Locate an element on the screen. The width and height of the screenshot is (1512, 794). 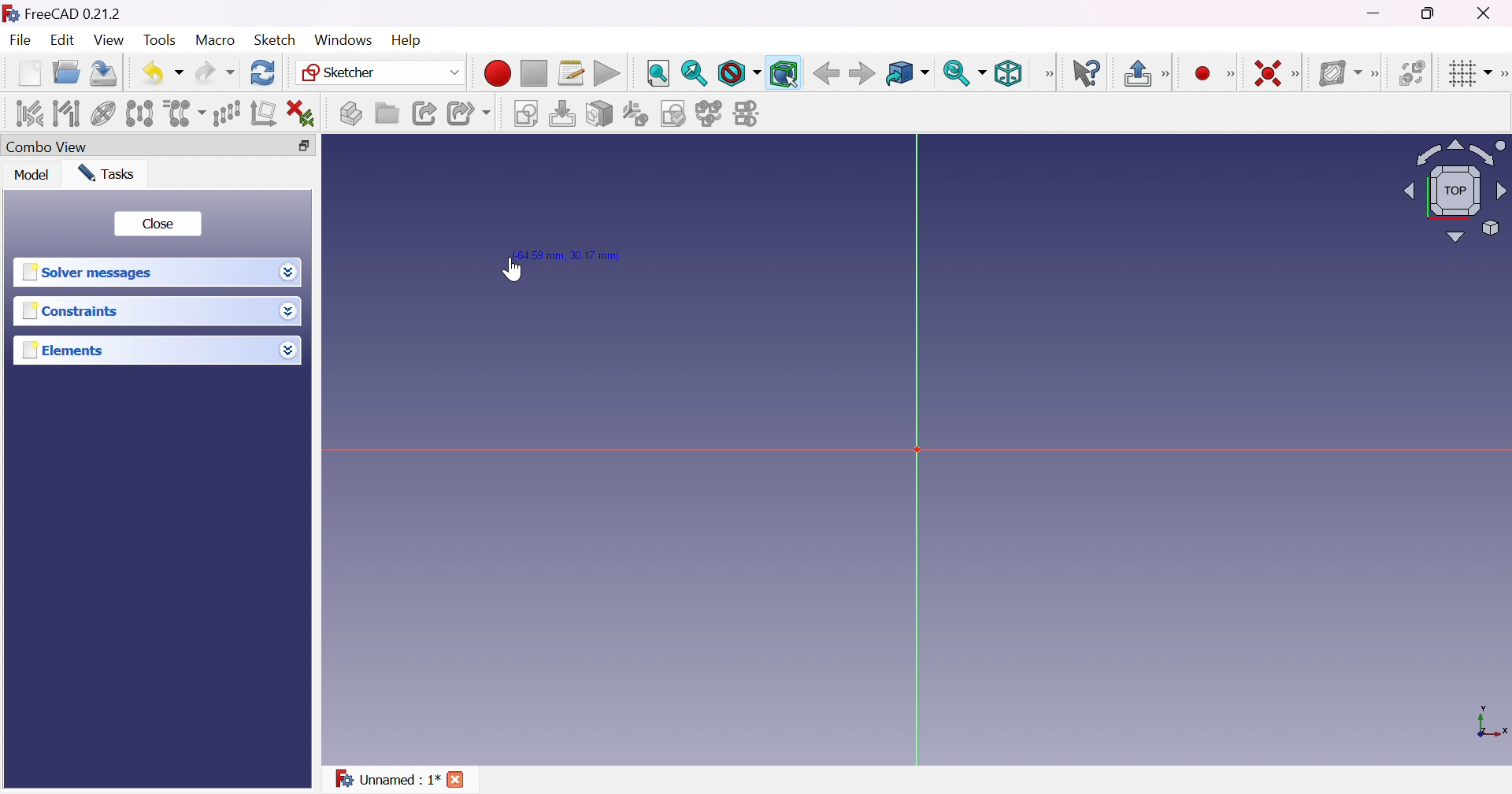
[Sketcher B-spline tools] is located at coordinates (1377, 74).